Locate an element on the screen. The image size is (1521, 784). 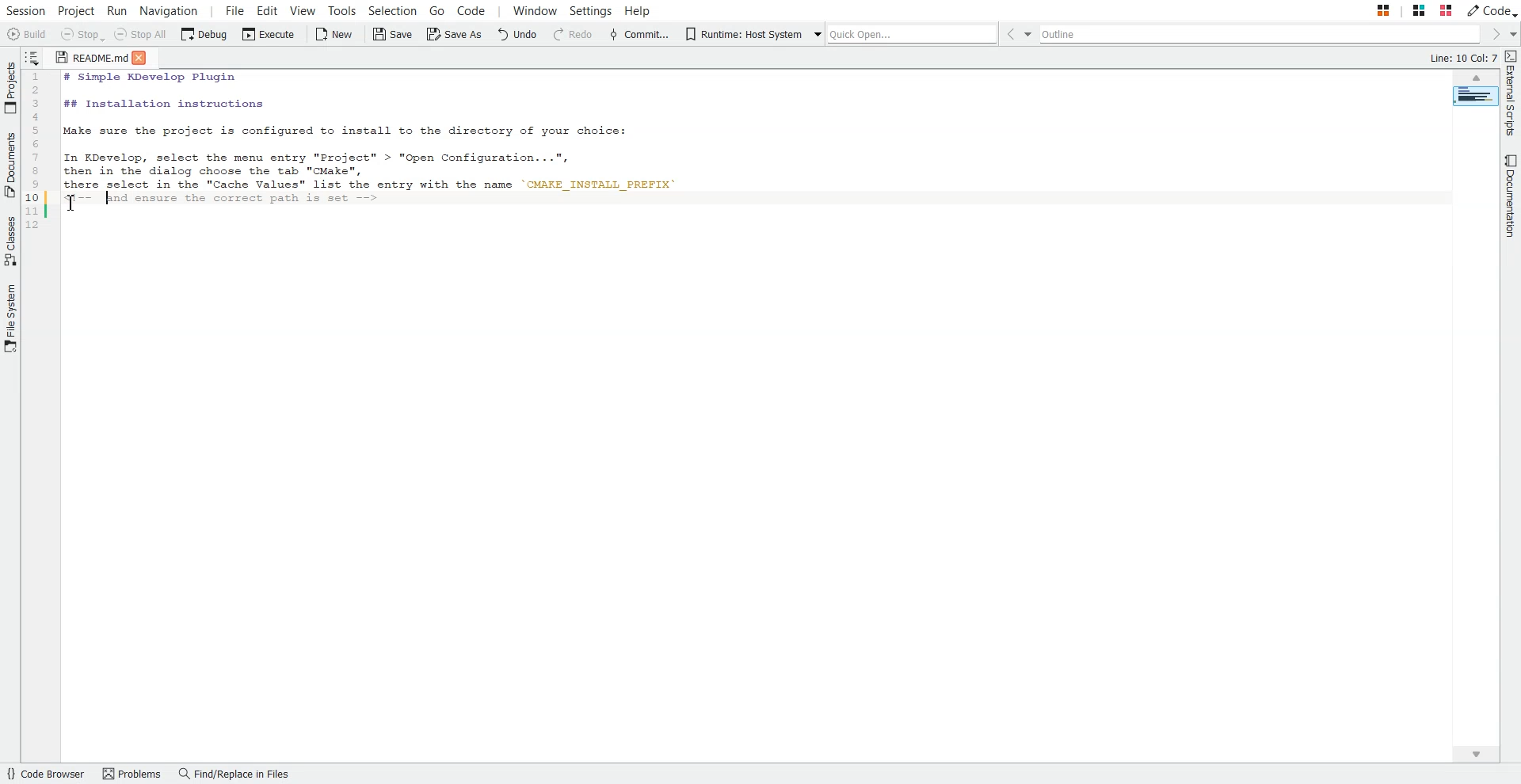
Page Overview is located at coordinates (1475, 96).